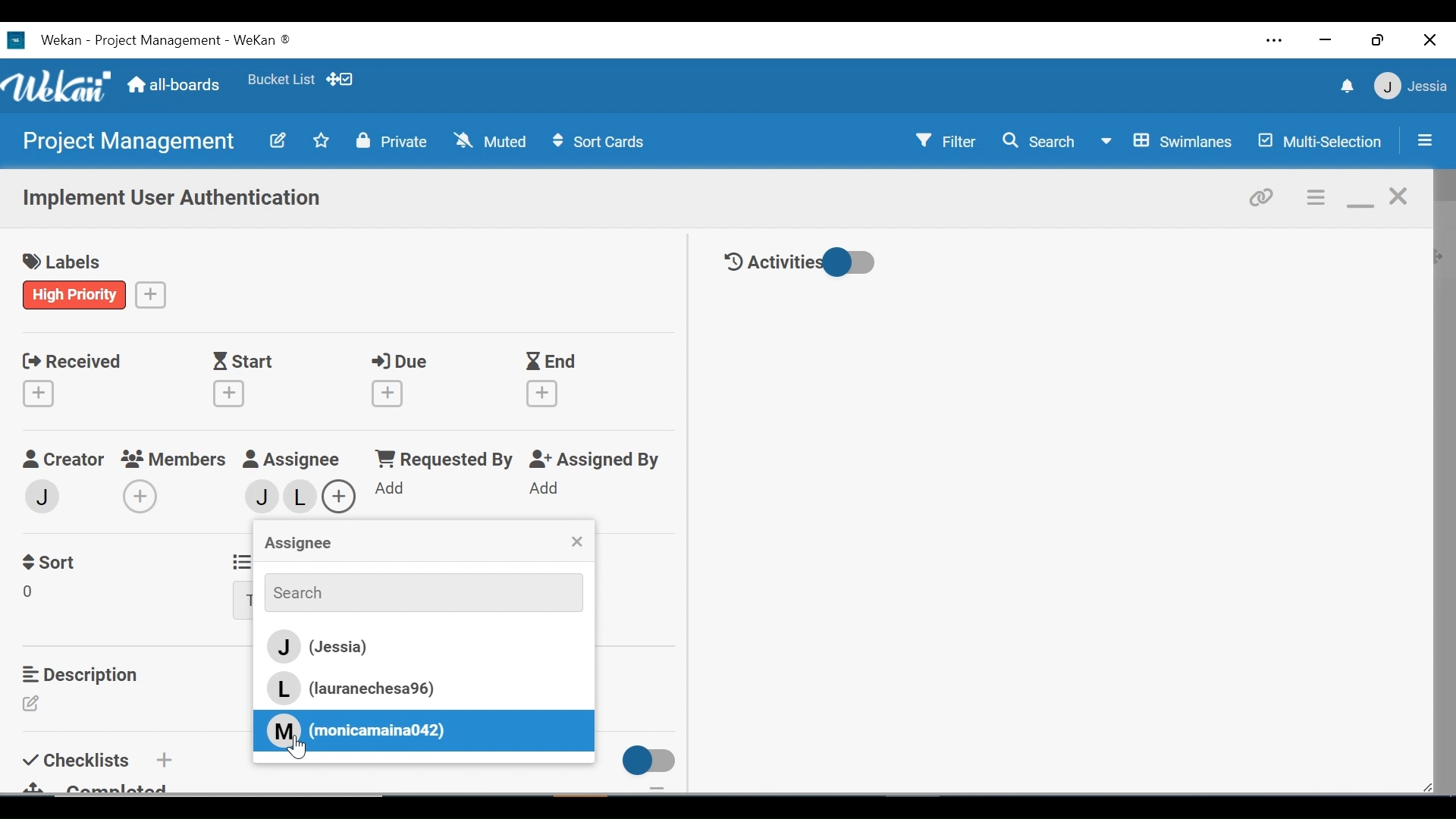 The image size is (1456, 819). Describe the element at coordinates (303, 500) in the screenshot. I see `lauranechesa96` at that location.